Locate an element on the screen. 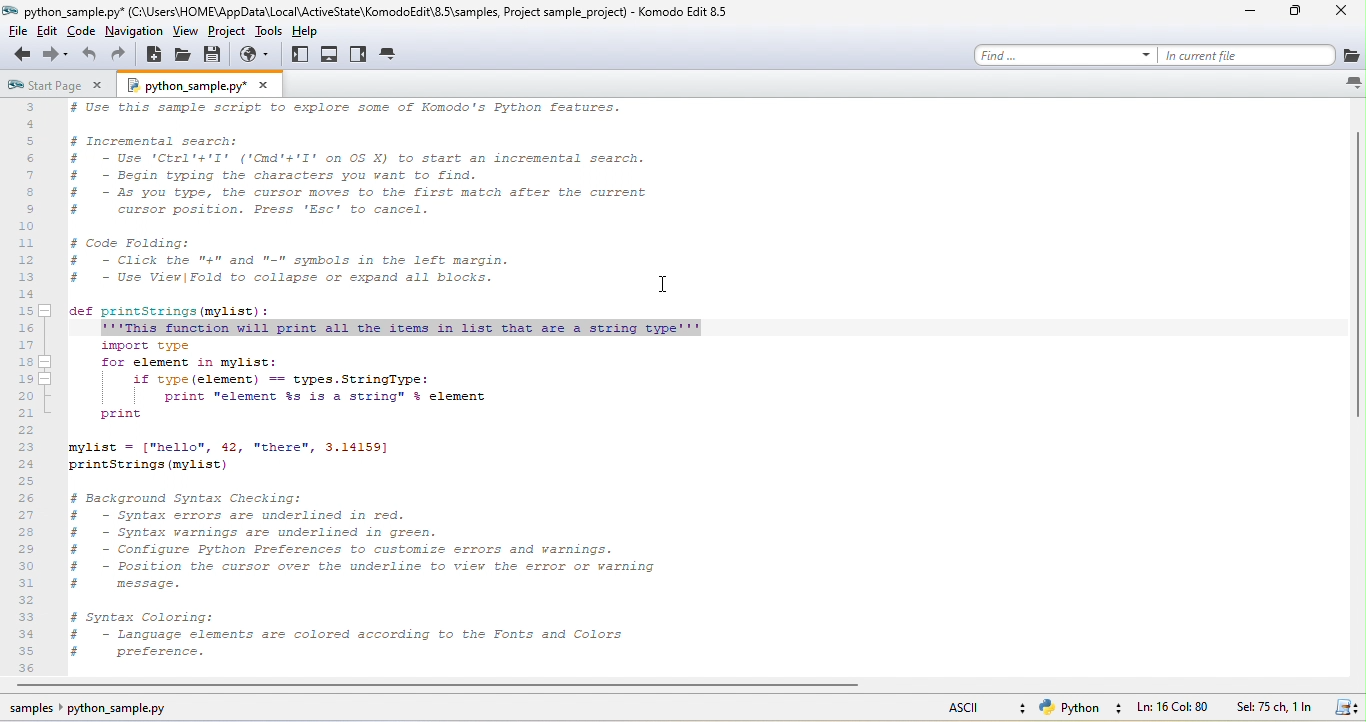  navigation is located at coordinates (134, 31).